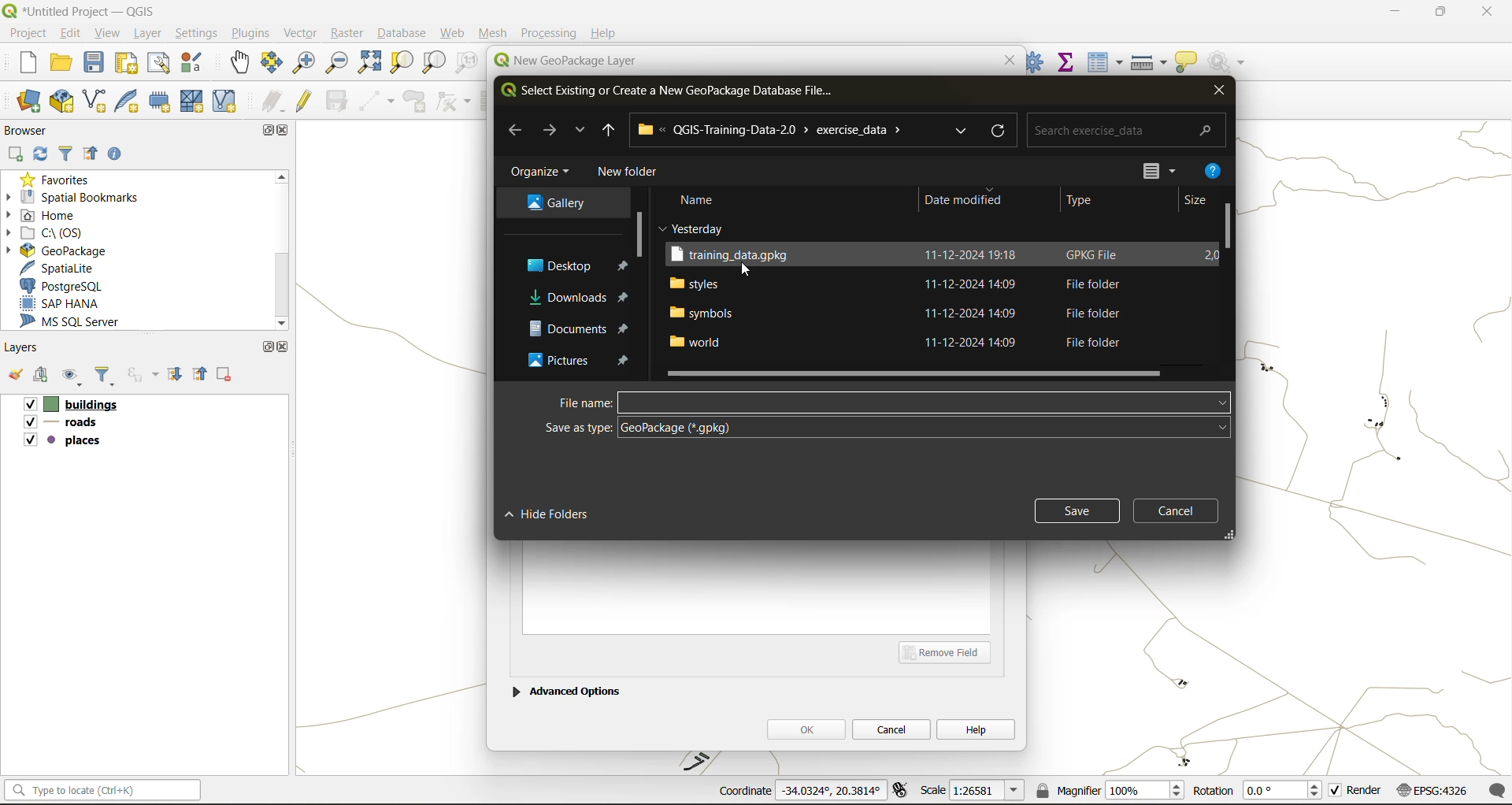  Describe the element at coordinates (103, 793) in the screenshot. I see `Type to locate (Ctrl+K)(status bar)` at that location.